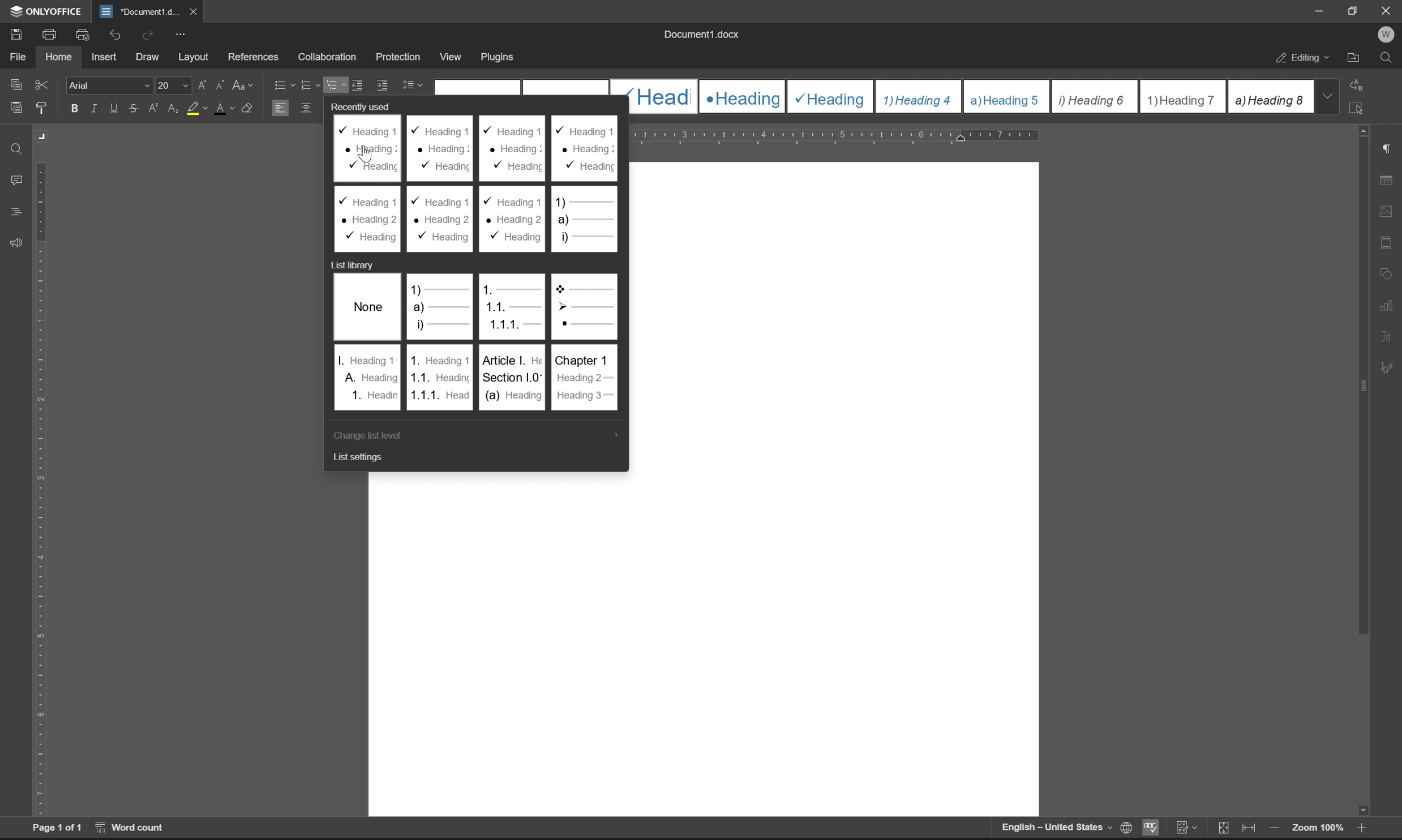 The height and width of the screenshot is (840, 1402). Describe the element at coordinates (1317, 829) in the screenshot. I see `zoom 100%` at that location.